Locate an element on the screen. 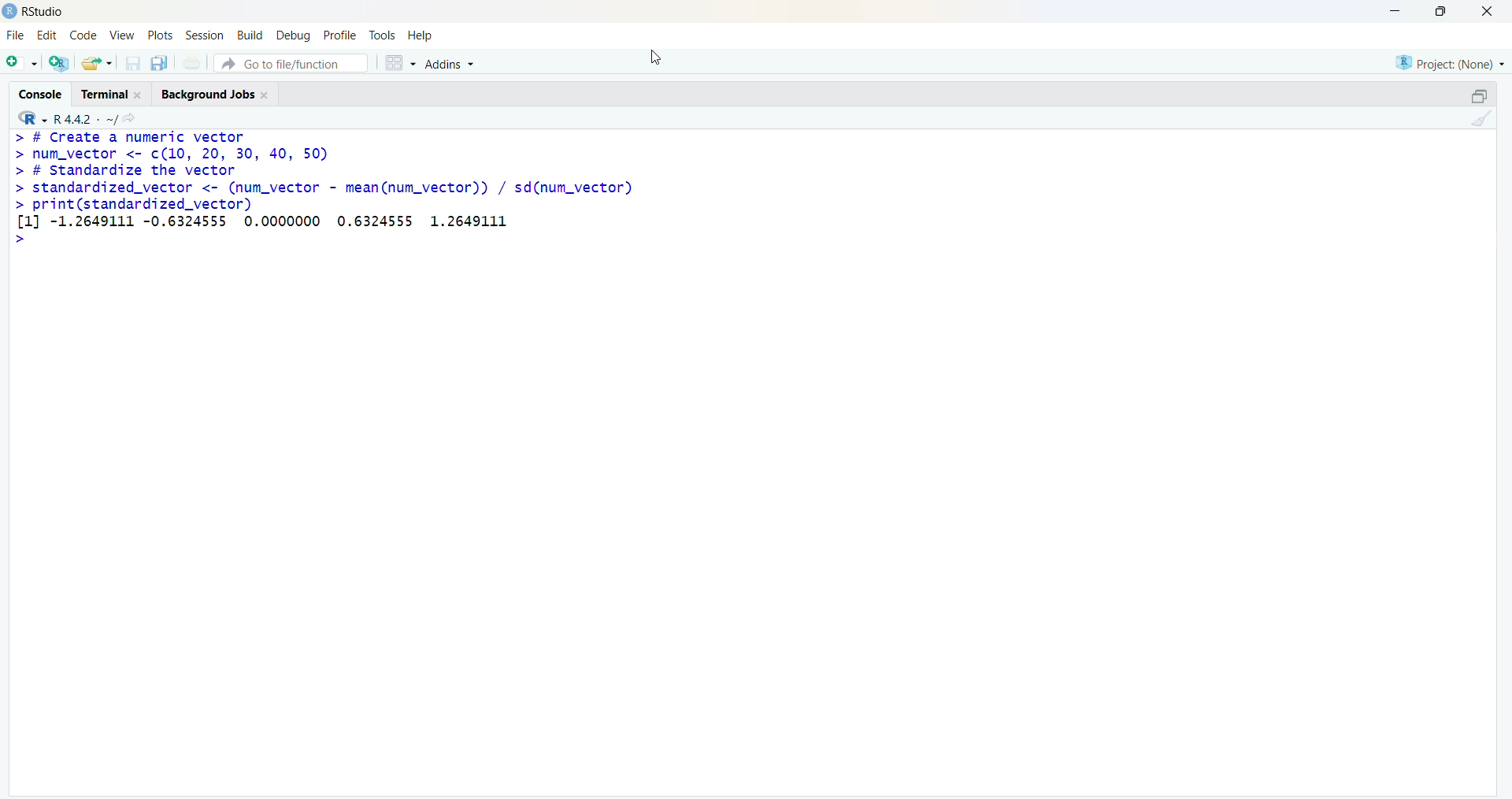  copy is located at coordinates (159, 63).